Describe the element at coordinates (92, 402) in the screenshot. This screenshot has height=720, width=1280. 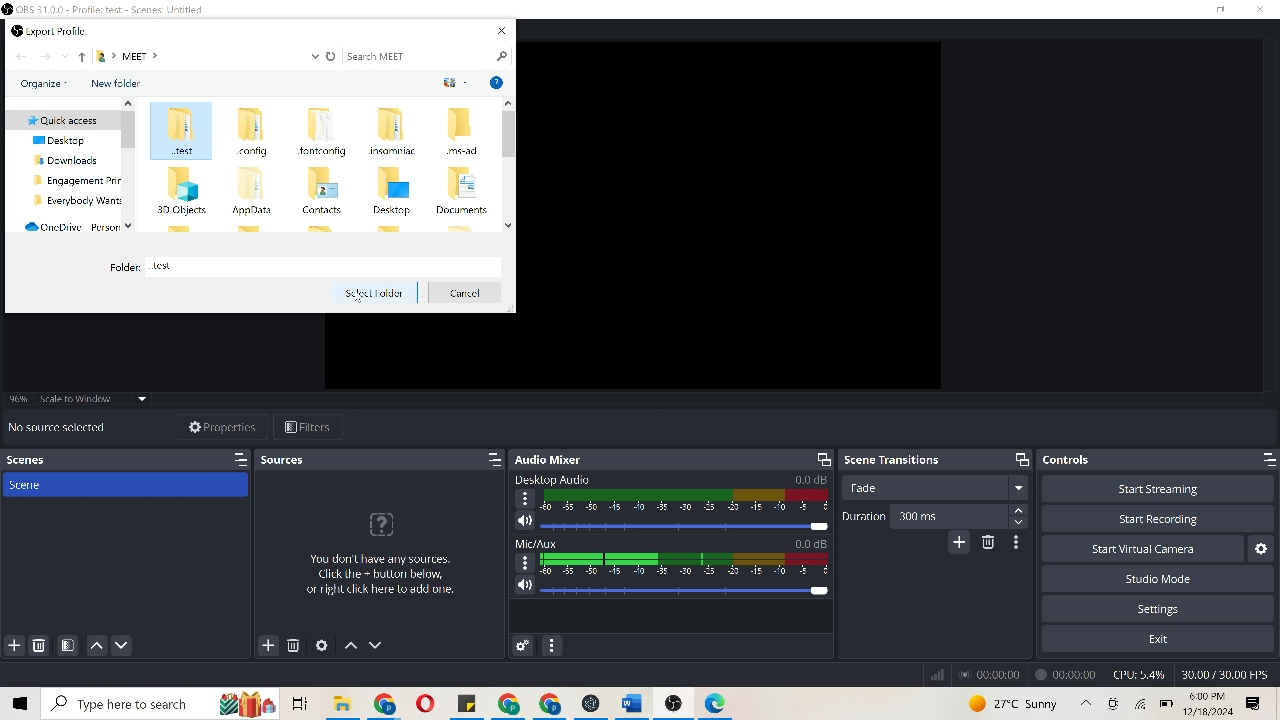
I see `scale to window` at that location.